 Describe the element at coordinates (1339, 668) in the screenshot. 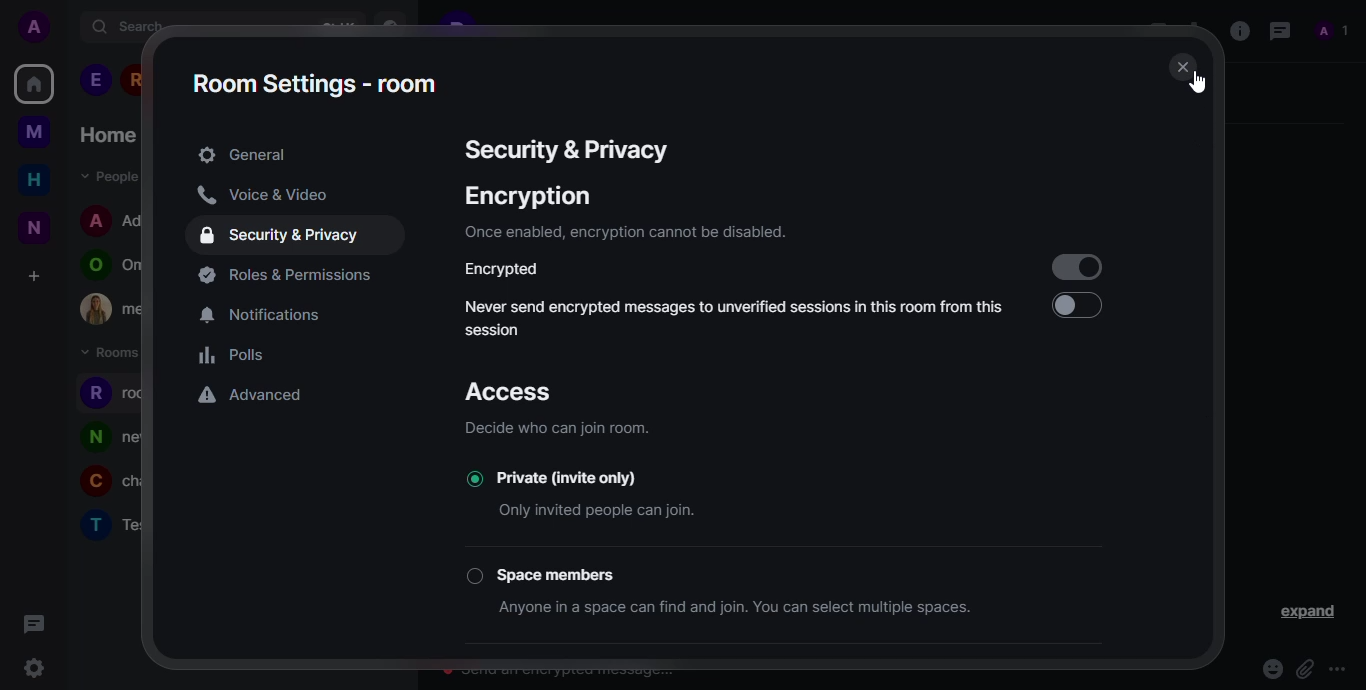

I see `more` at that location.